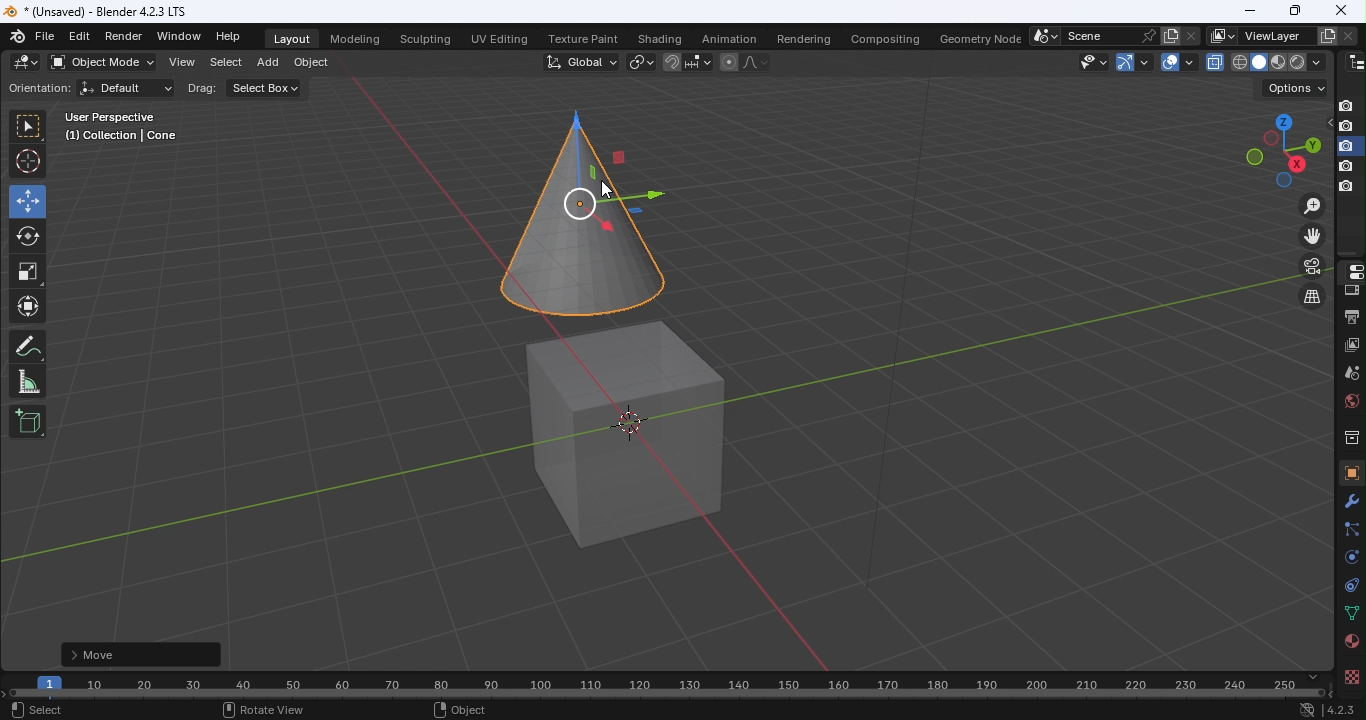  Describe the element at coordinates (671, 61) in the screenshot. I see `Snap` at that location.